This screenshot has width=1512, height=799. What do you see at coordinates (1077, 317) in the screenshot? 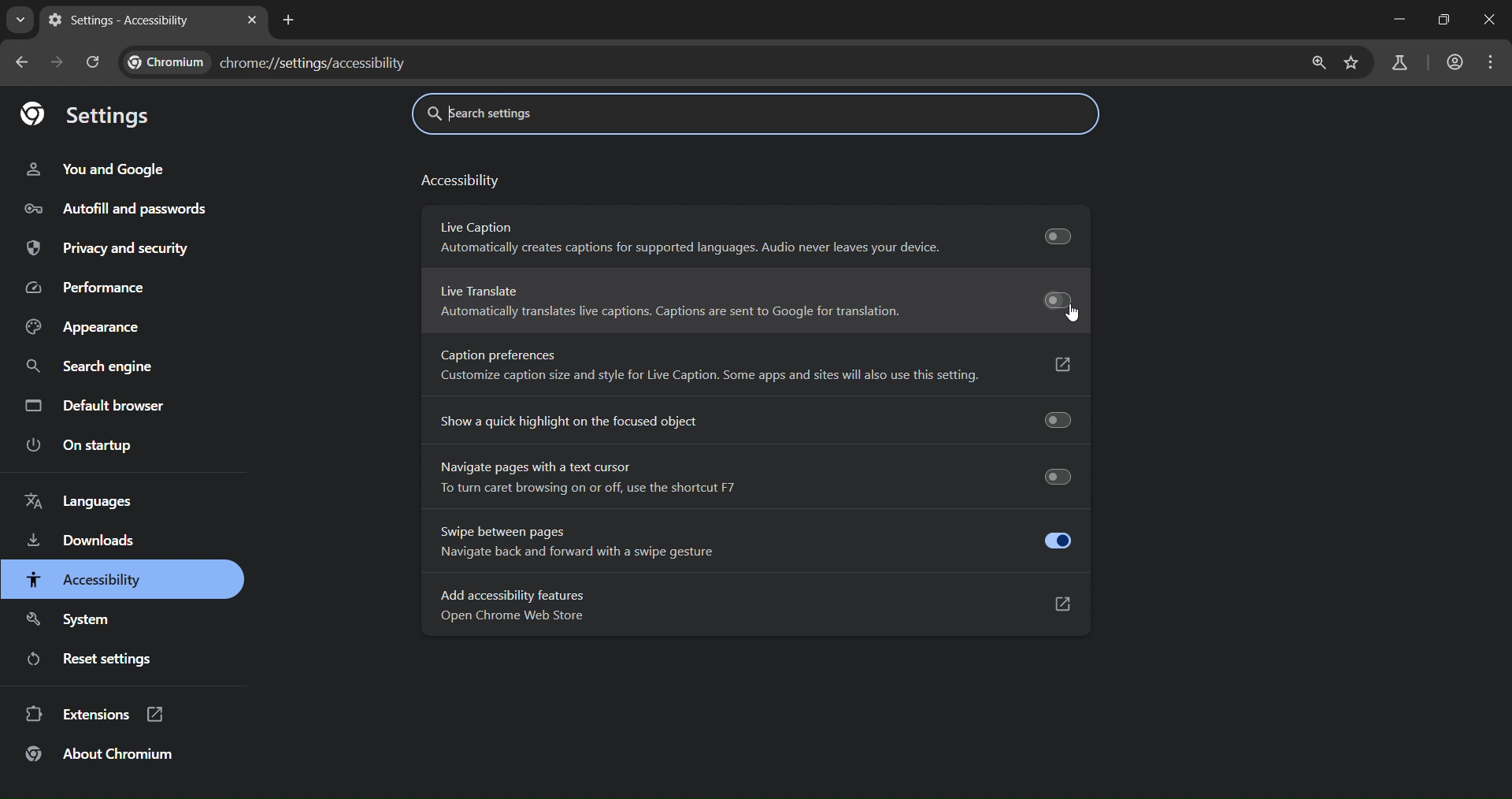
I see `cursor` at bounding box center [1077, 317].